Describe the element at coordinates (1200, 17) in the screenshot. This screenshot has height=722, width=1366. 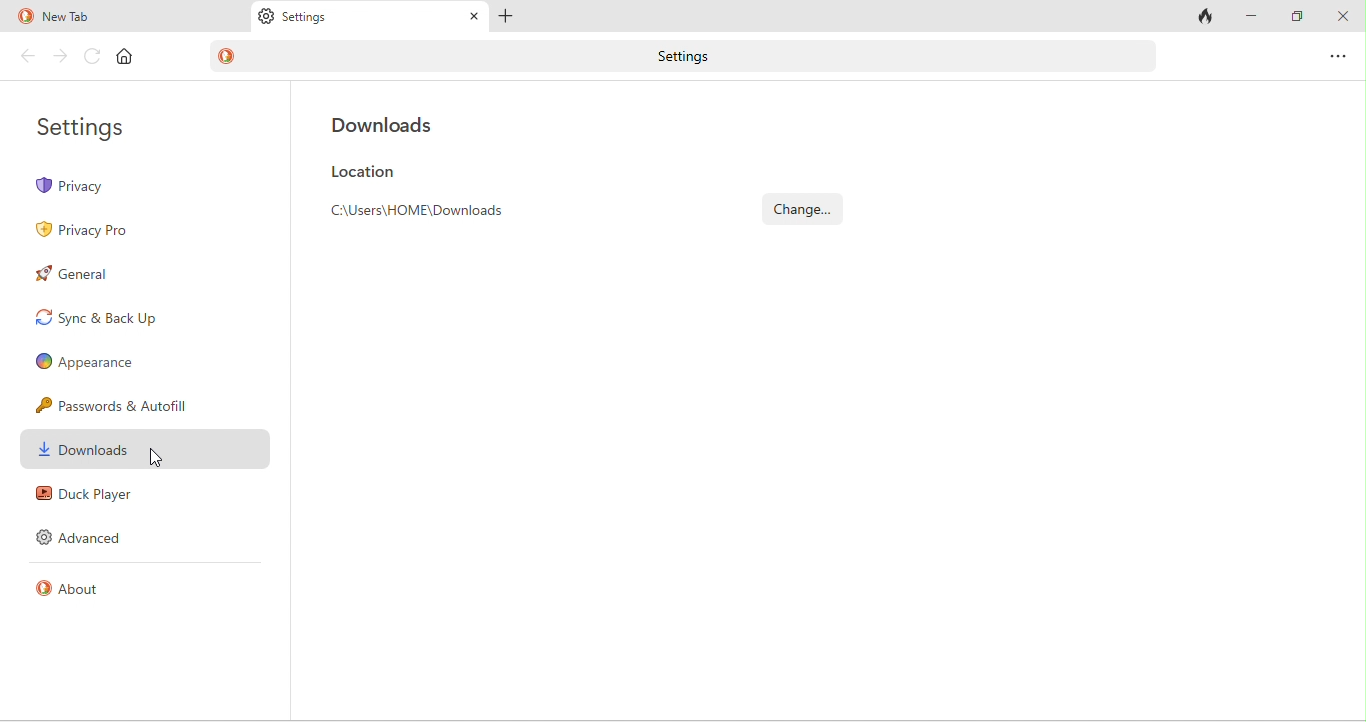
I see `track tab` at that location.